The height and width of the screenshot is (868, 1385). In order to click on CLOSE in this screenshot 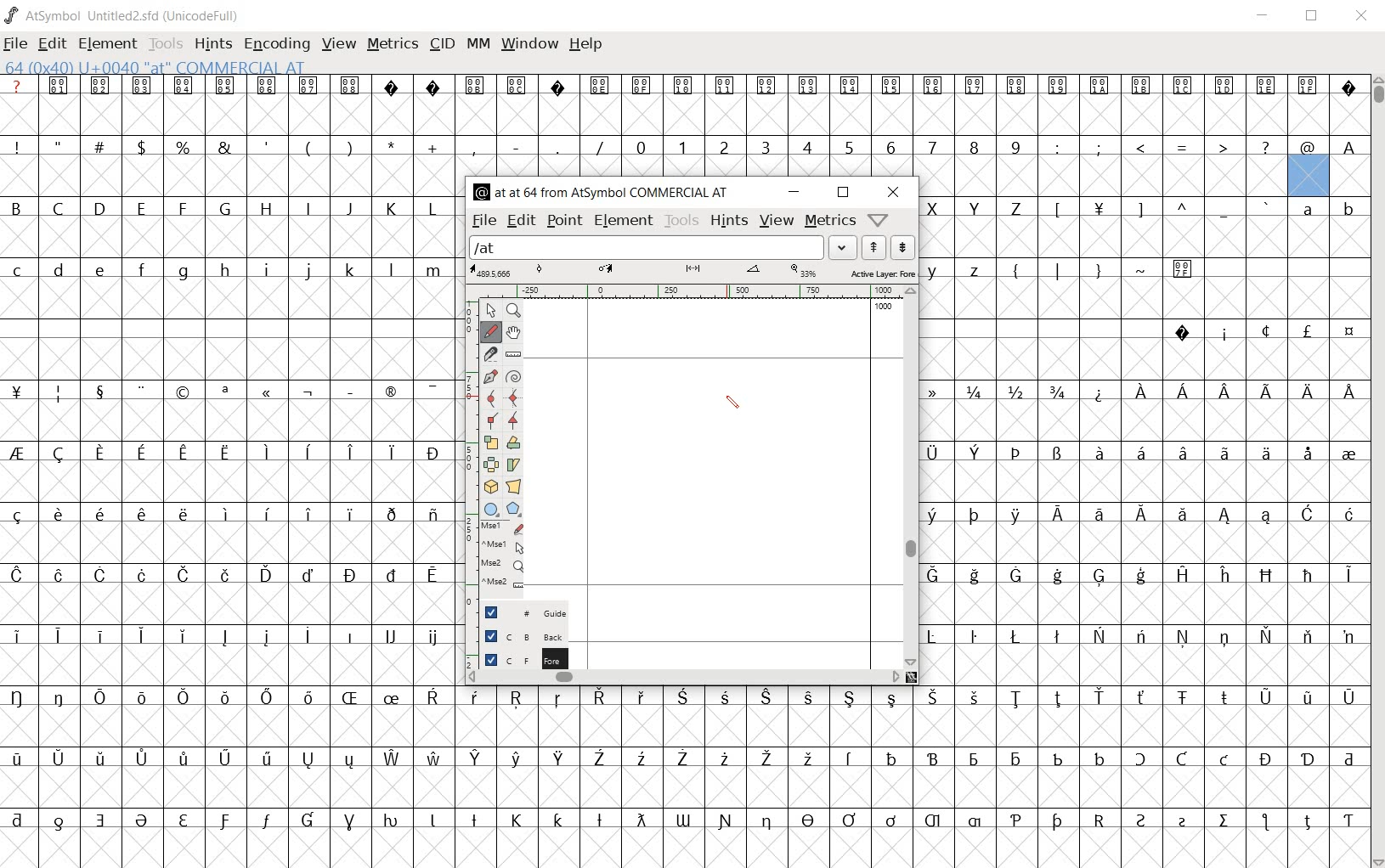, I will do `click(1363, 18)`.